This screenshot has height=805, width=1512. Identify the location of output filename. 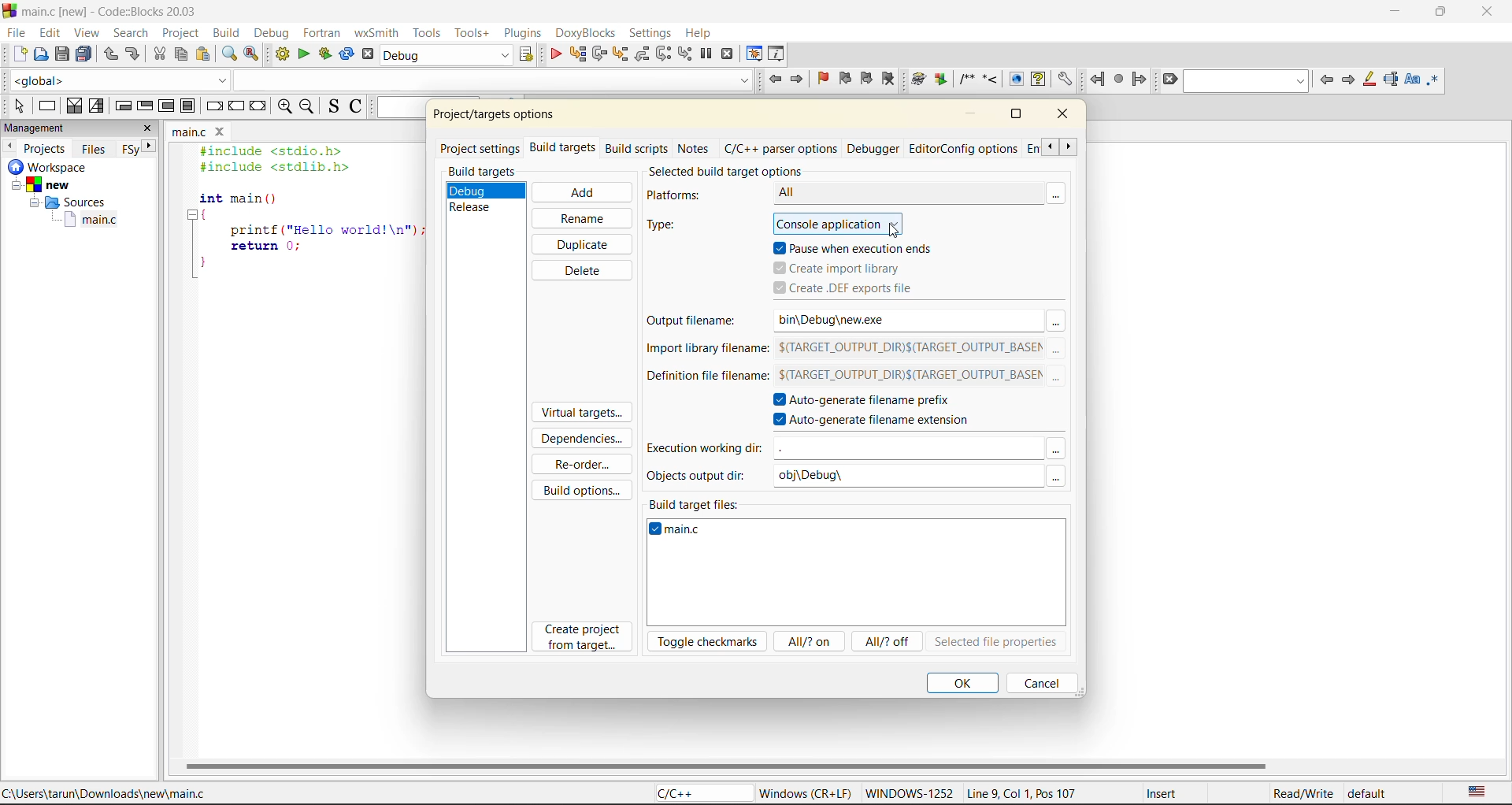
(693, 321).